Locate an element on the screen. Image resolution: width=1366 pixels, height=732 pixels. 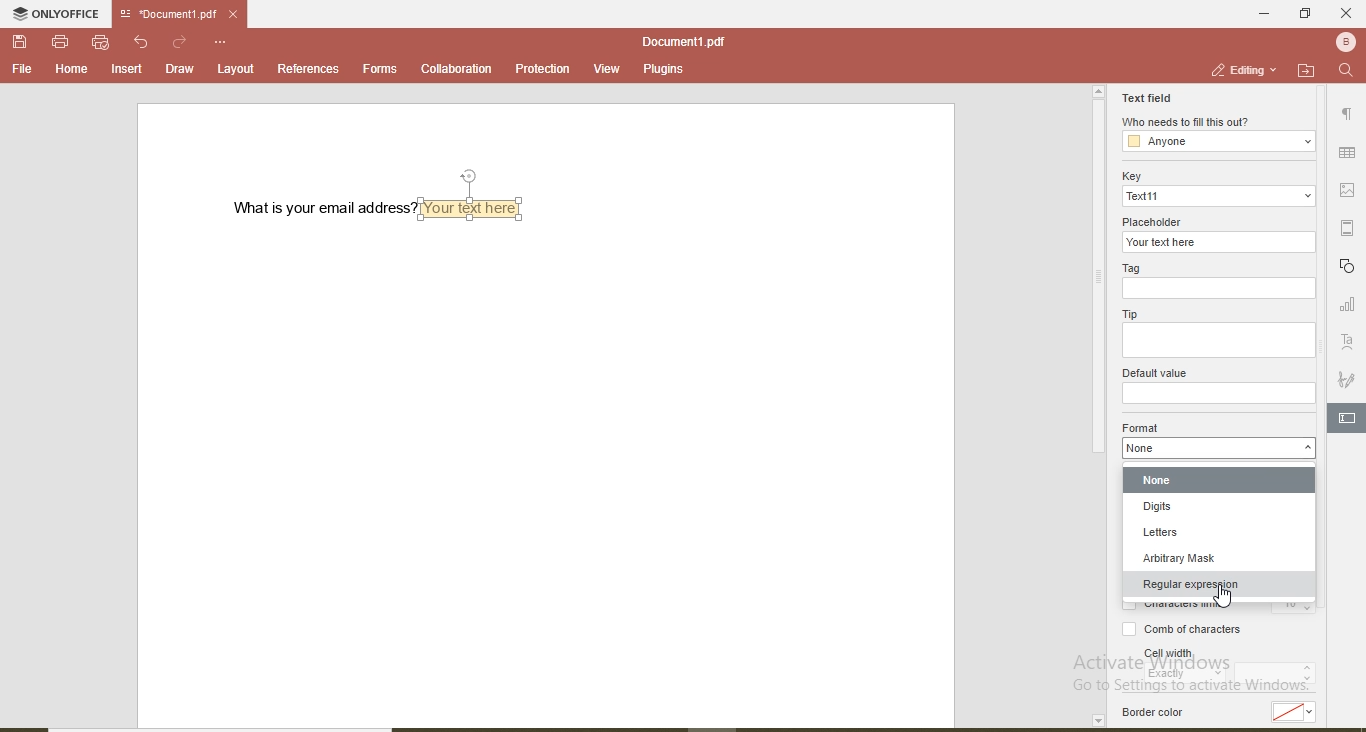
text11 is located at coordinates (1218, 196).